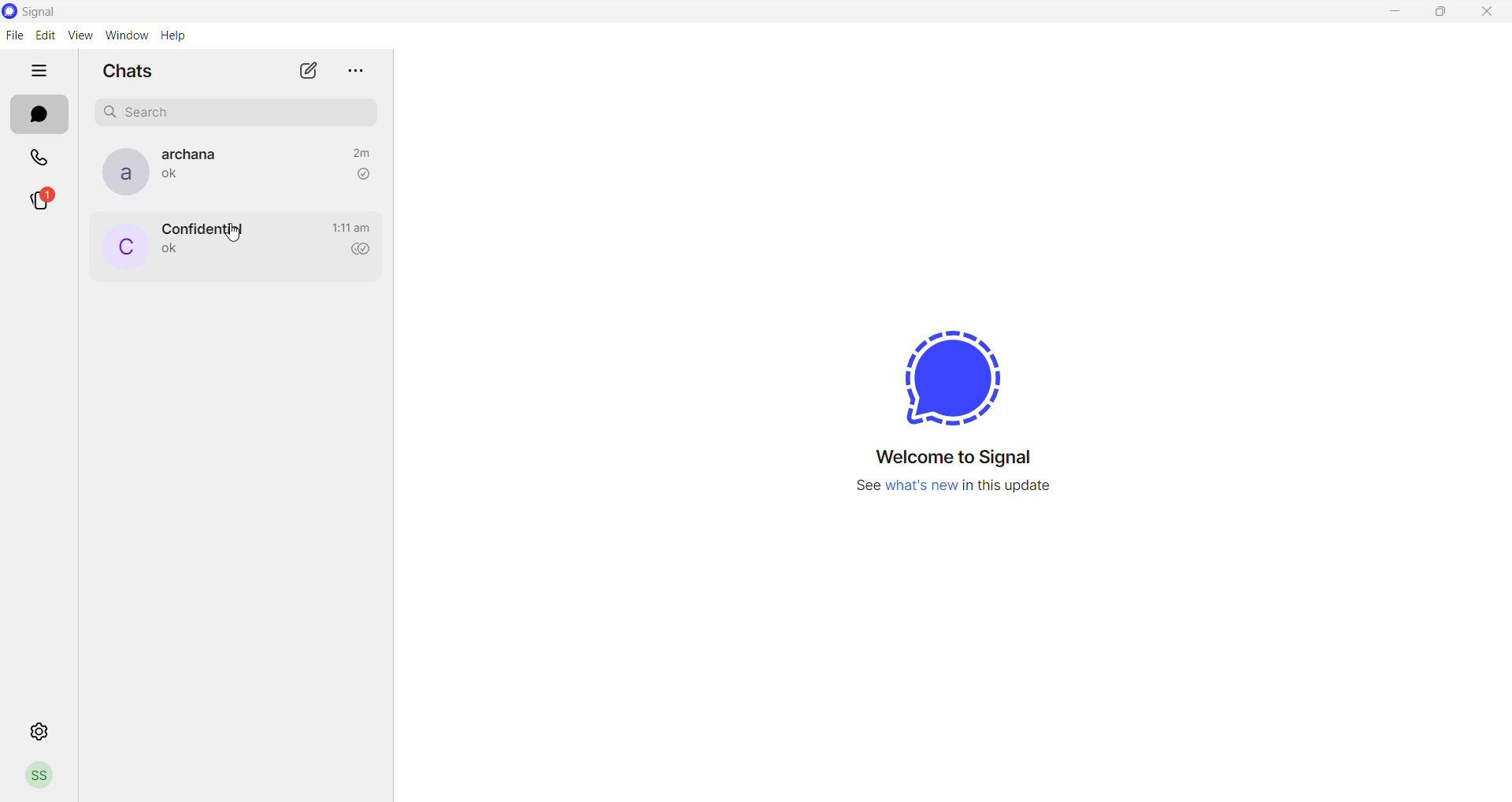  What do you see at coordinates (309, 75) in the screenshot?
I see `new chat` at bounding box center [309, 75].